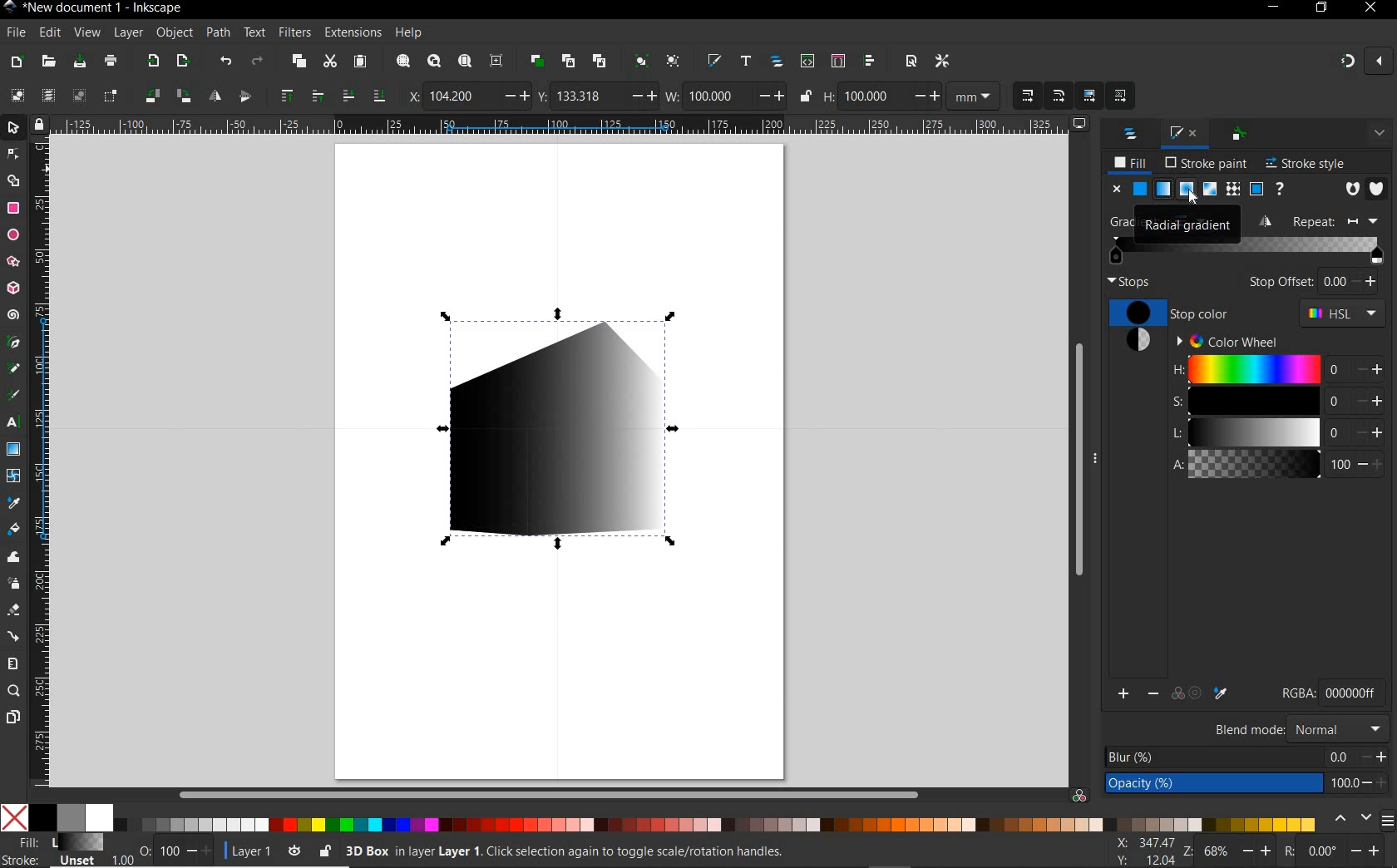  I want to click on ZOOM TOOL, so click(15, 691).